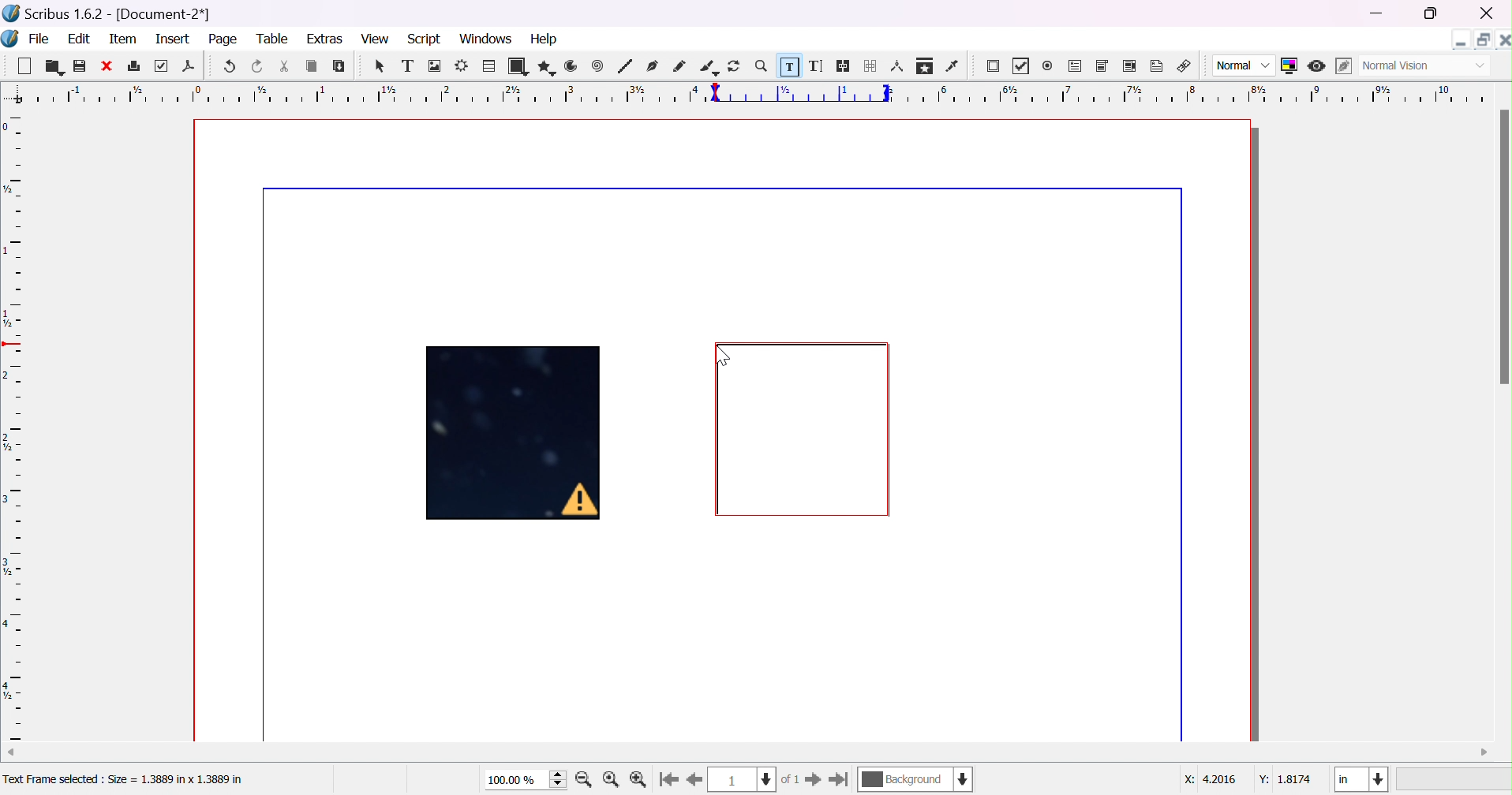 The width and height of the screenshot is (1512, 795). I want to click on Ruler, so click(759, 93).